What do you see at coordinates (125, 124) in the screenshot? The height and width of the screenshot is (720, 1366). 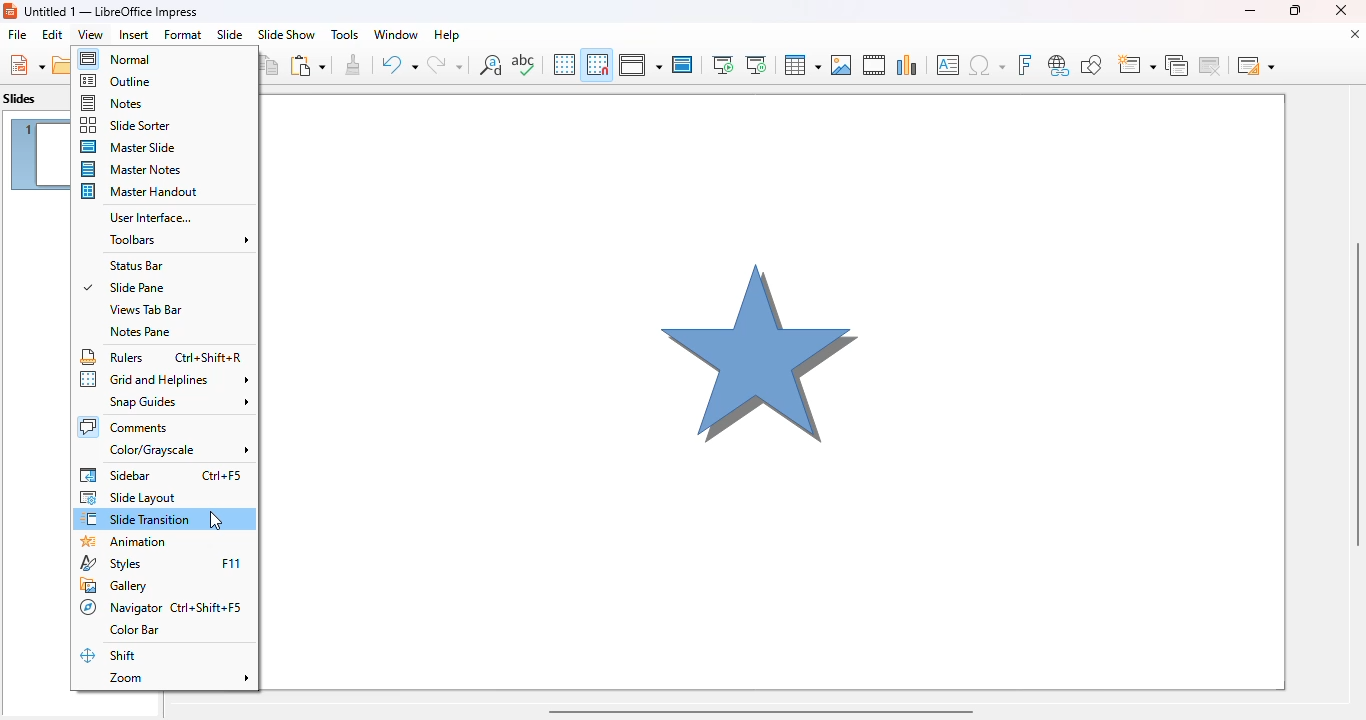 I see `slide sorter` at bounding box center [125, 124].